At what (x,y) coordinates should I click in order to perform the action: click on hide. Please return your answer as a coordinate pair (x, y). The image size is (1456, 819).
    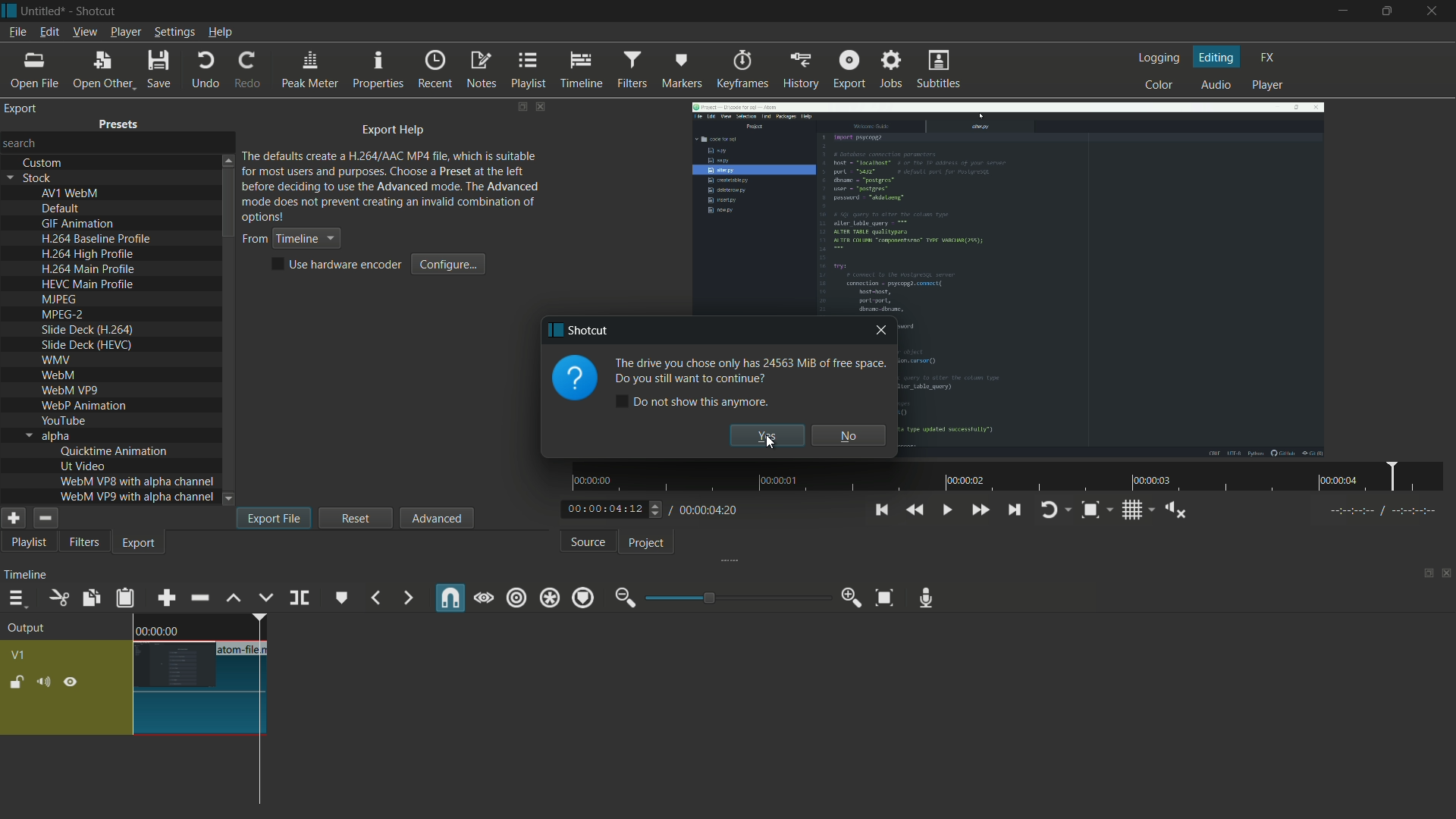
    Looking at the image, I should click on (74, 682).